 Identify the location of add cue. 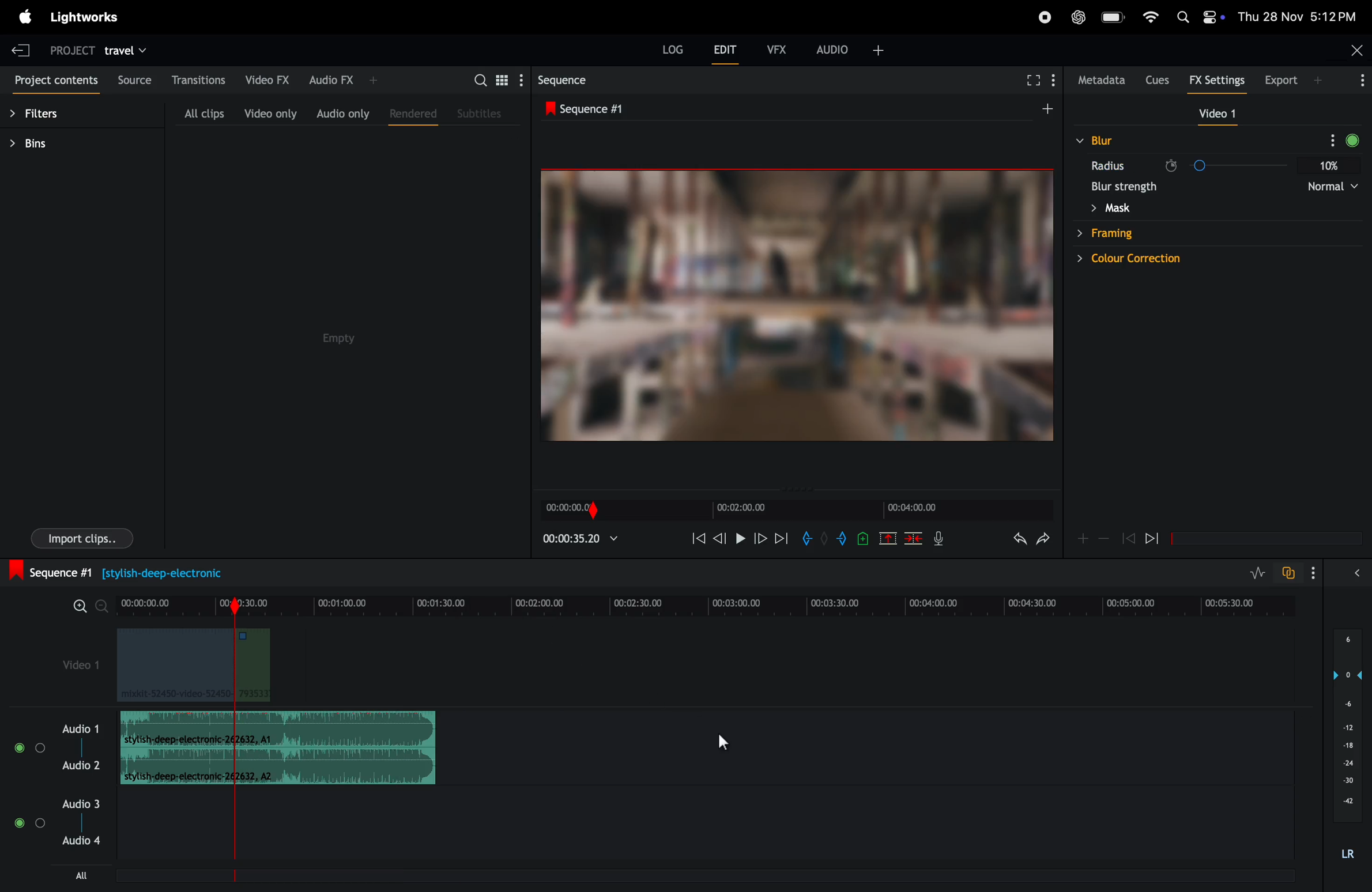
(860, 540).